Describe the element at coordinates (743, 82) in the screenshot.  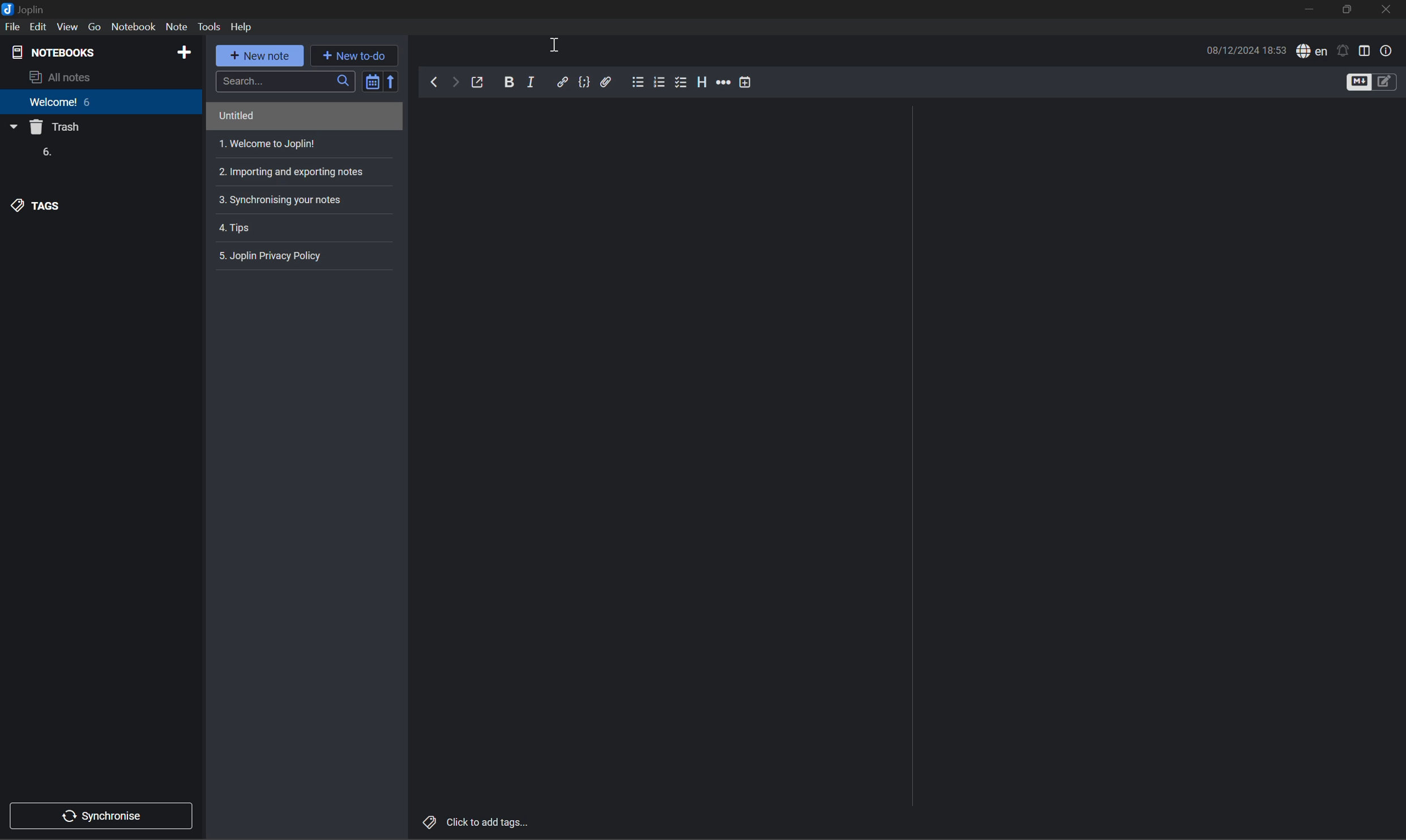
I see `Insert time` at that location.